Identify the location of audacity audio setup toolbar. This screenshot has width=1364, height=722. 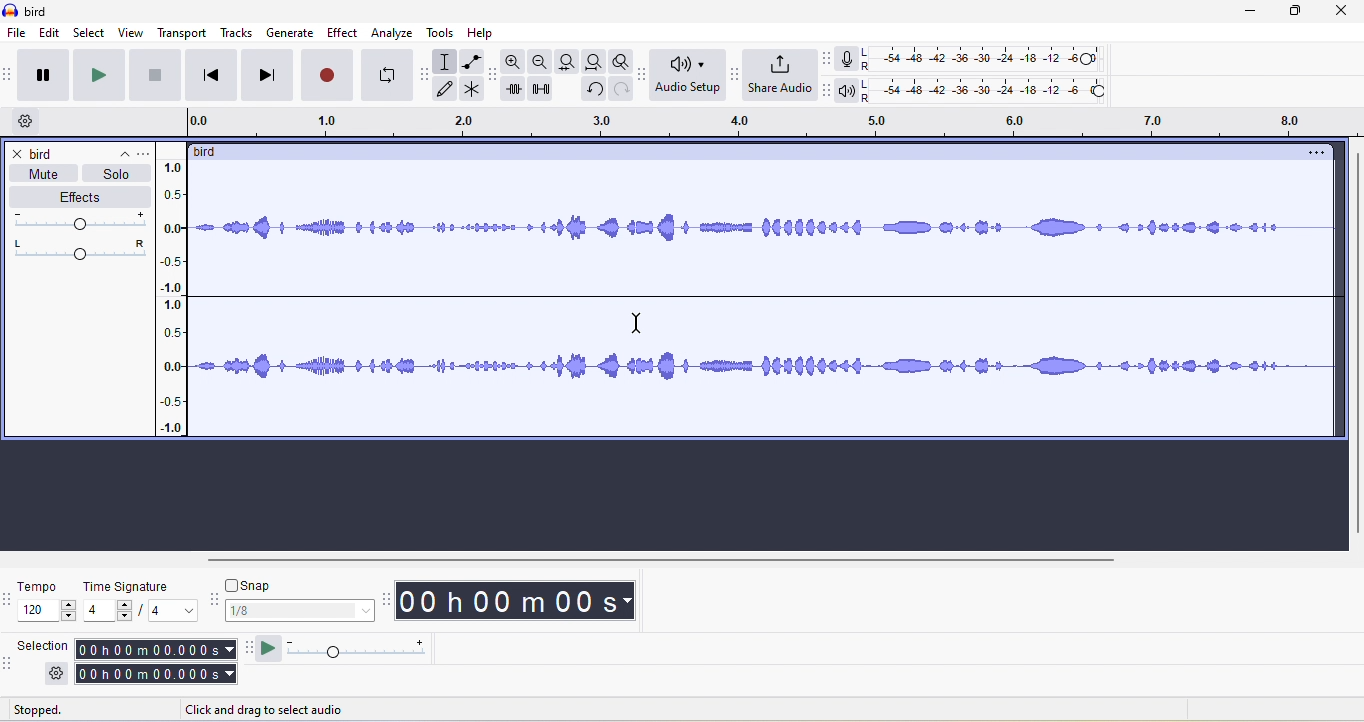
(640, 75).